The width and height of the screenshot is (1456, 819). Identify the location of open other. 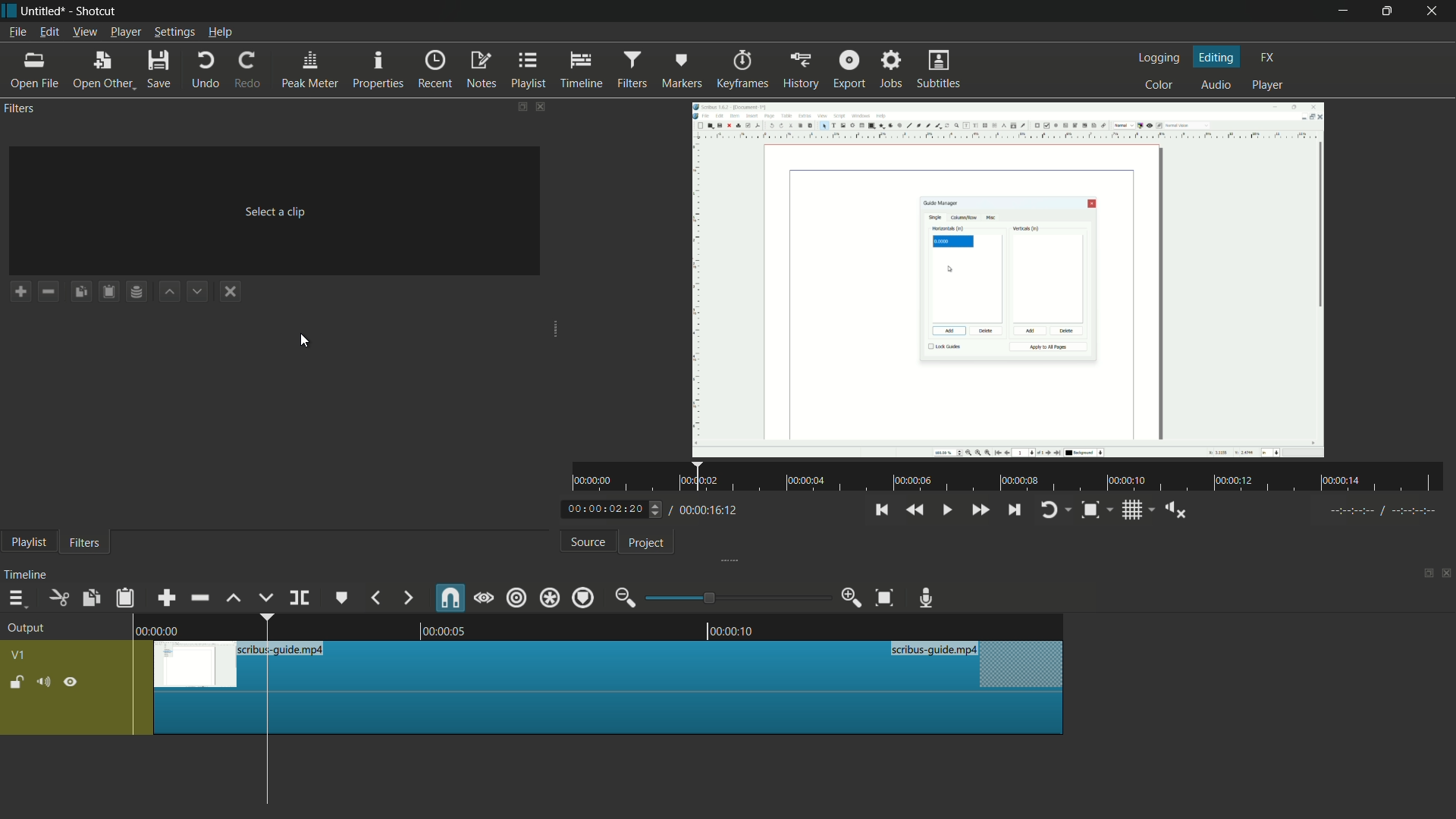
(103, 70).